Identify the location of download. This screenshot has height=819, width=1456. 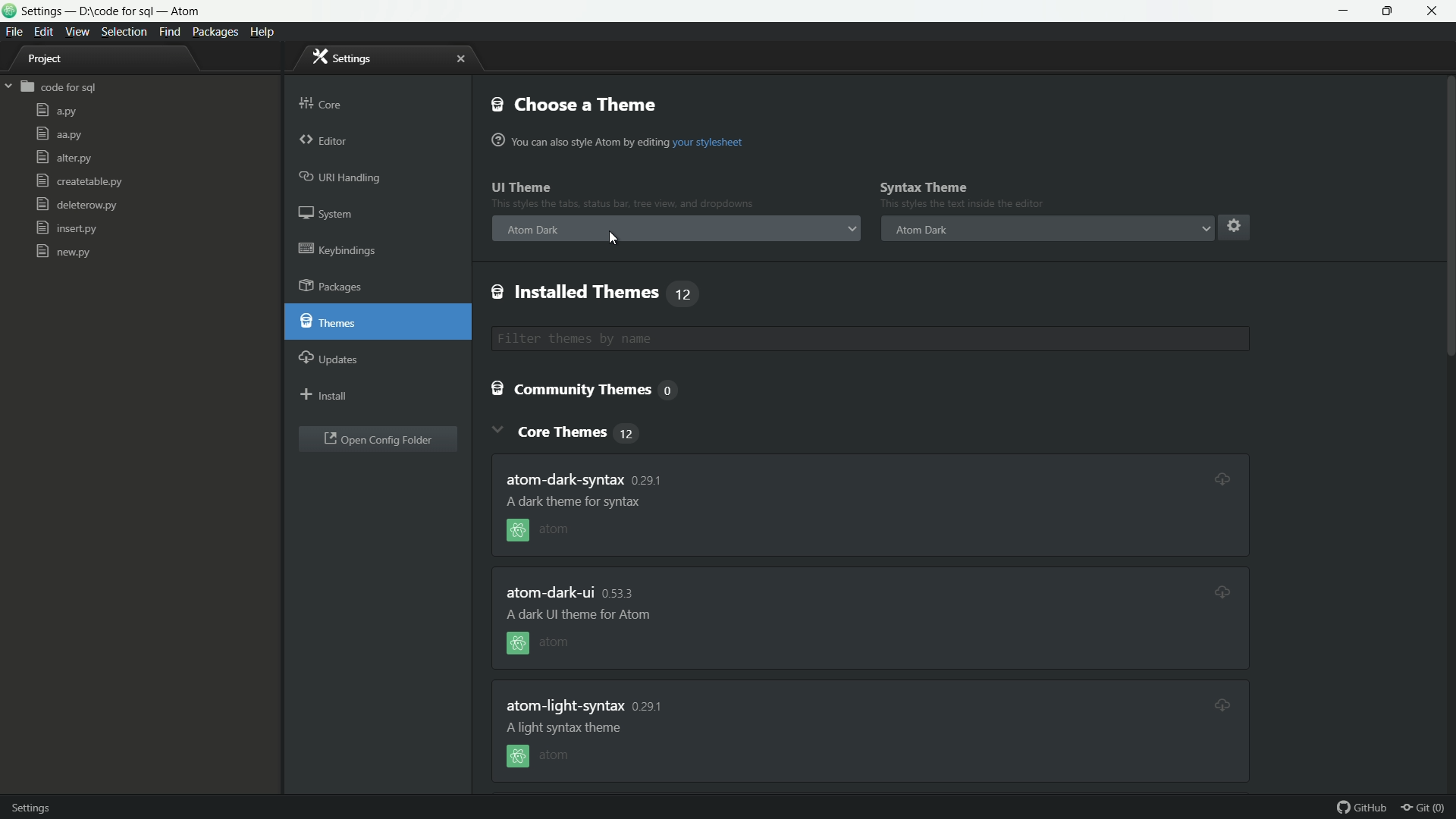
(1219, 704).